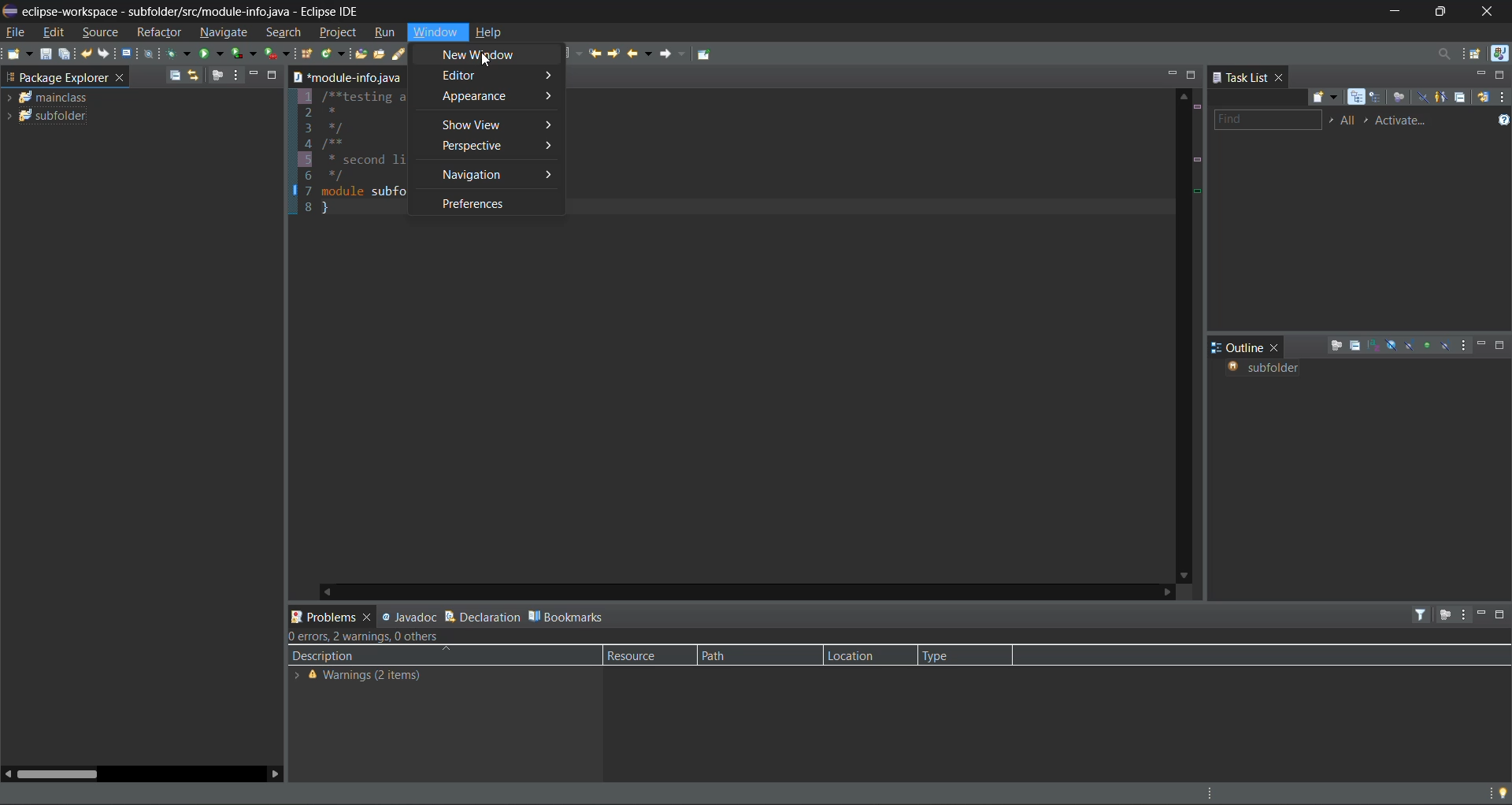 Image resolution: width=1512 pixels, height=805 pixels. What do you see at coordinates (1368, 119) in the screenshot?
I see `select active task` at bounding box center [1368, 119].